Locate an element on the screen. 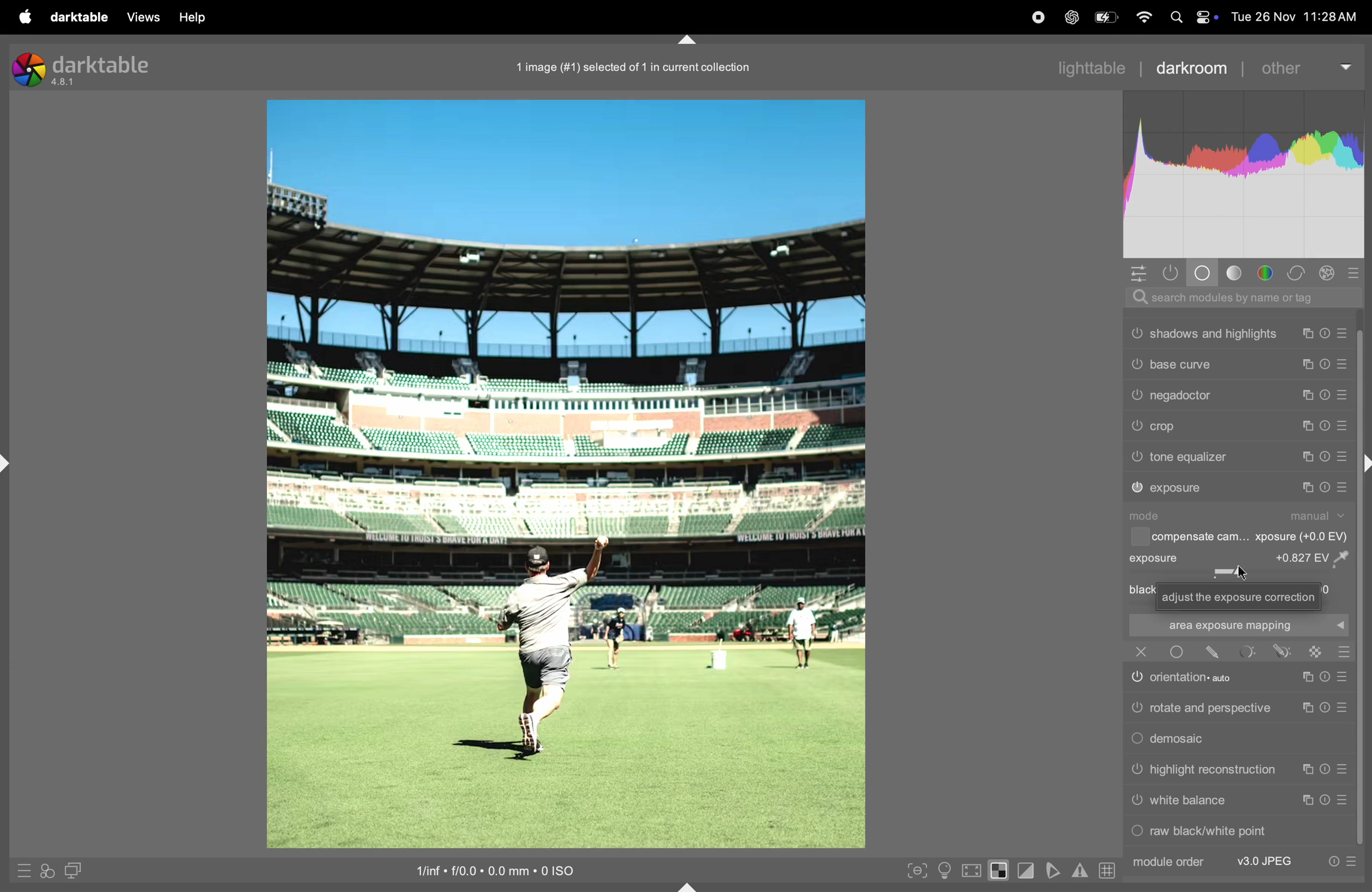 The image size is (1372, 892). reset presets is located at coordinates (1324, 457).